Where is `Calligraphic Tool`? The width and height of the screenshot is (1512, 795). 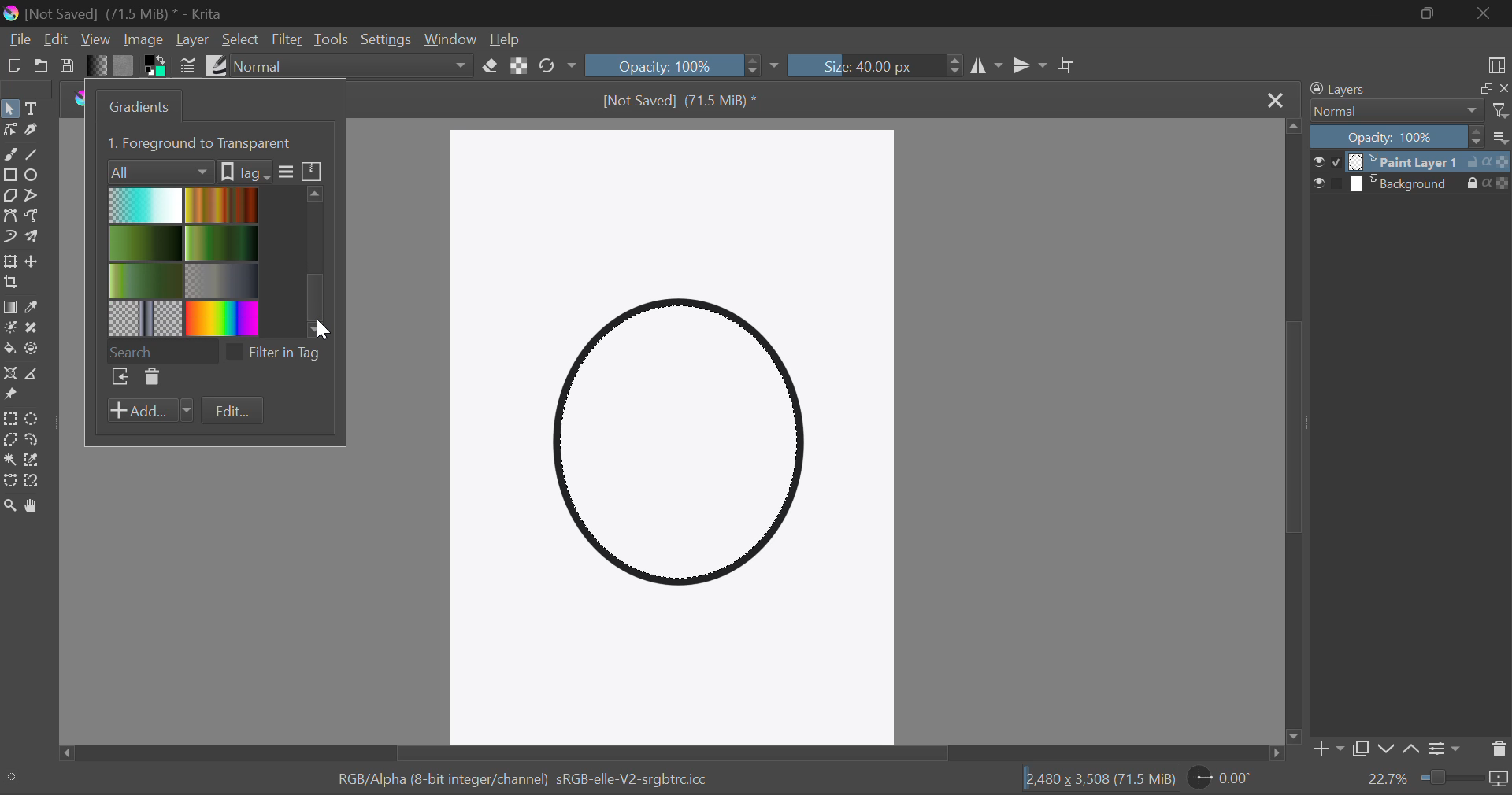 Calligraphic Tool is located at coordinates (34, 133).